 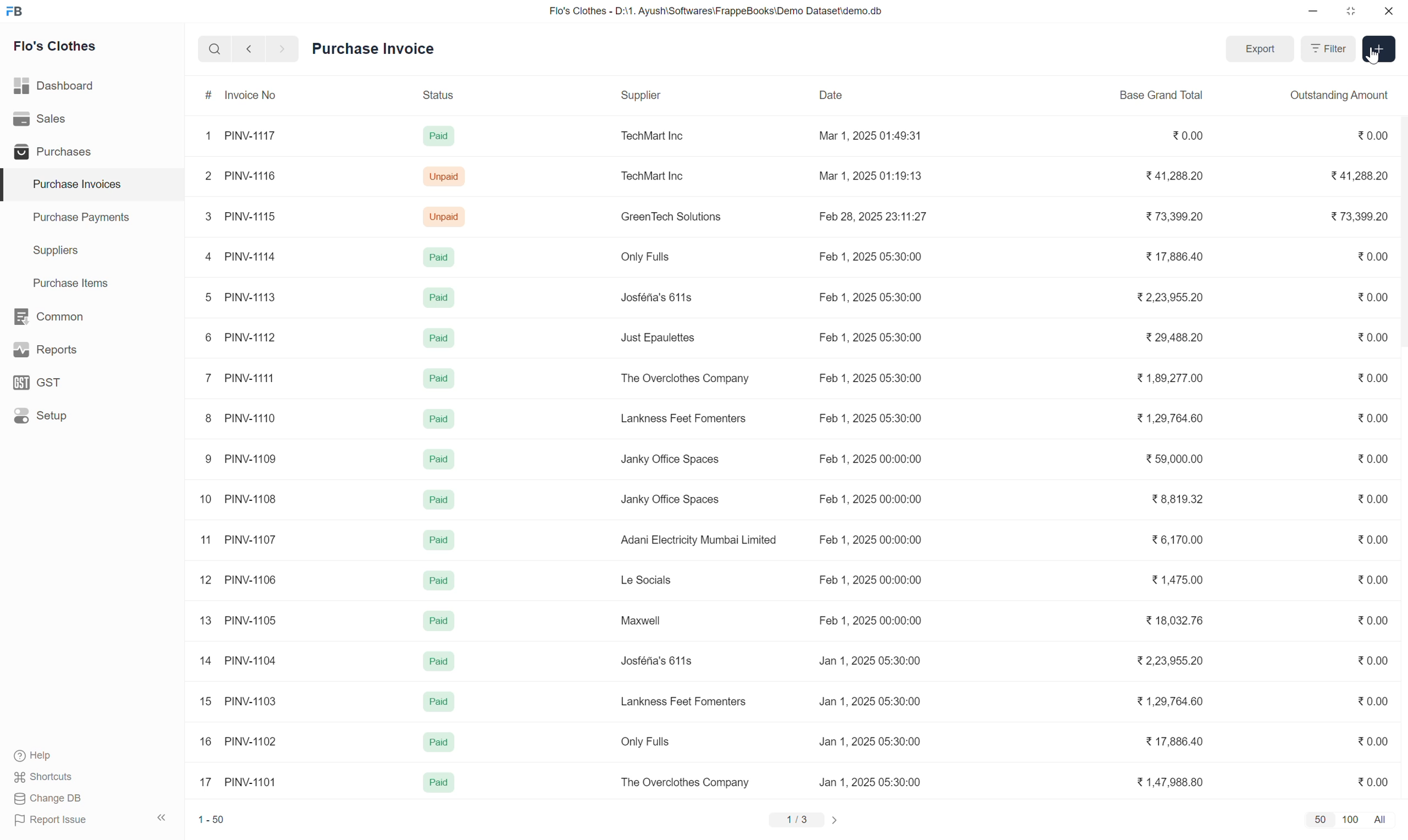 What do you see at coordinates (1373, 661) in the screenshot?
I see `0.00` at bounding box center [1373, 661].